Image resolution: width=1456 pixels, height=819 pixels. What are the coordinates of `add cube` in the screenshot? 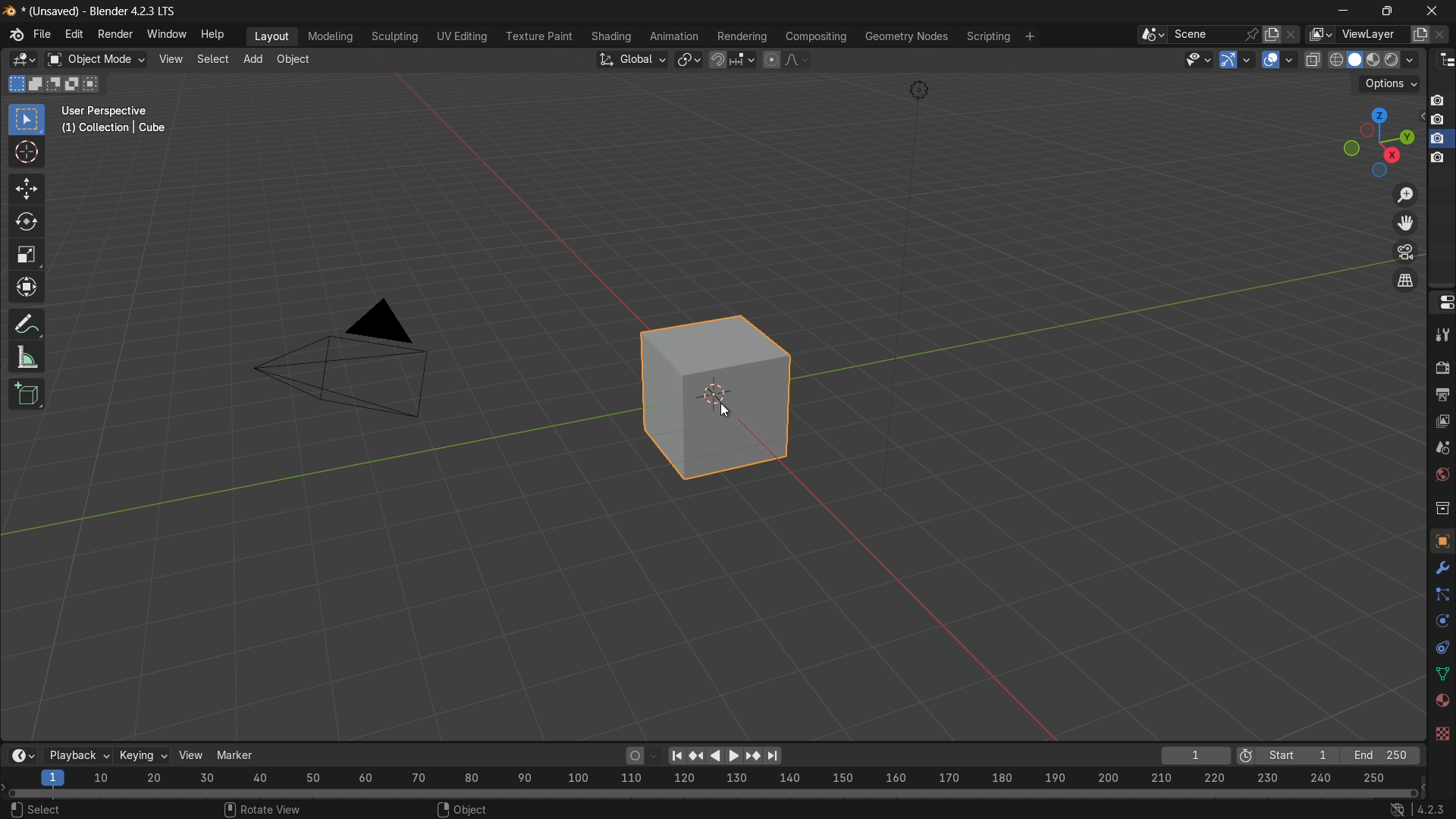 It's located at (26, 395).